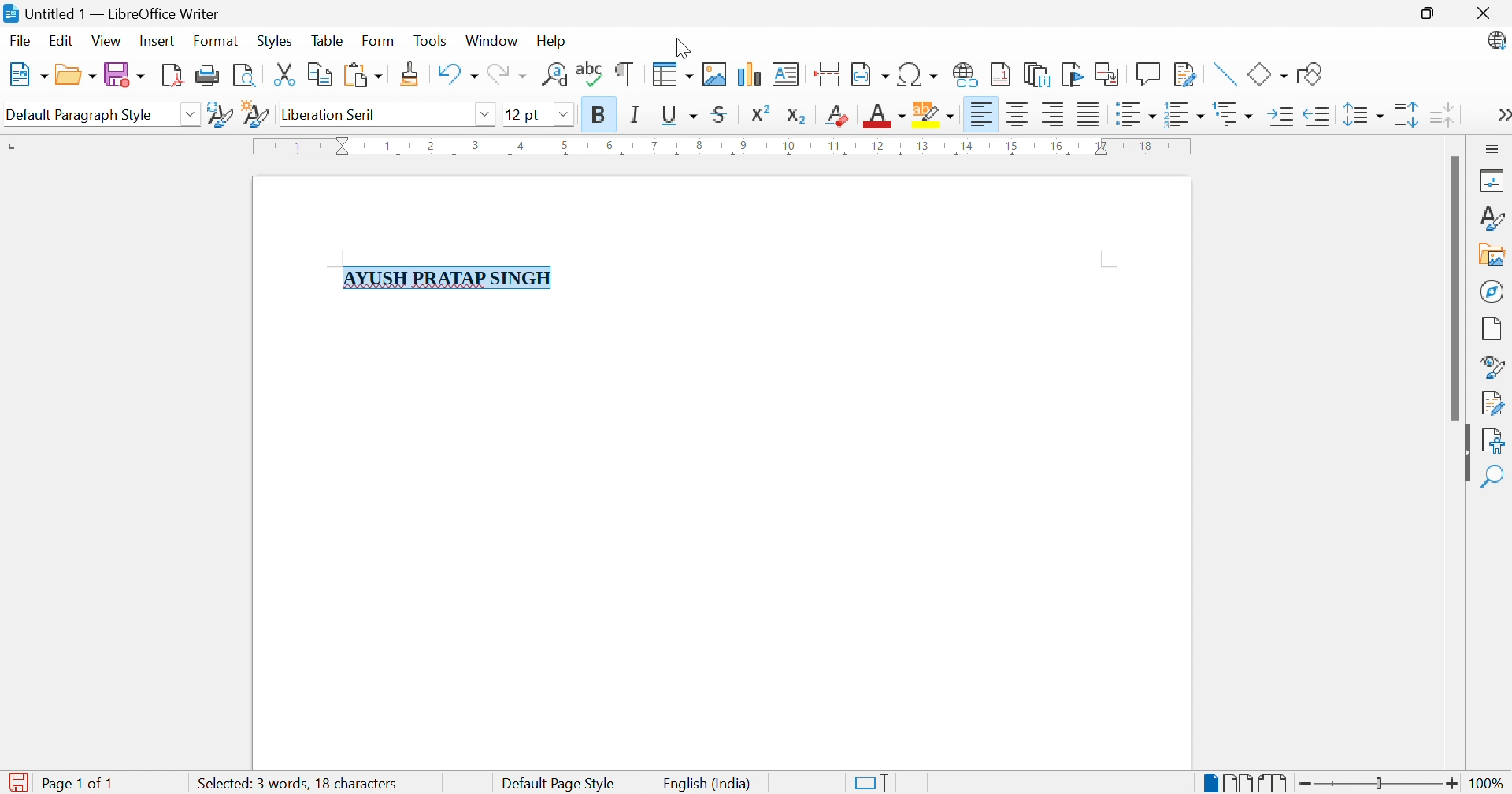  What do you see at coordinates (18, 39) in the screenshot?
I see `File` at bounding box center [18, 39].